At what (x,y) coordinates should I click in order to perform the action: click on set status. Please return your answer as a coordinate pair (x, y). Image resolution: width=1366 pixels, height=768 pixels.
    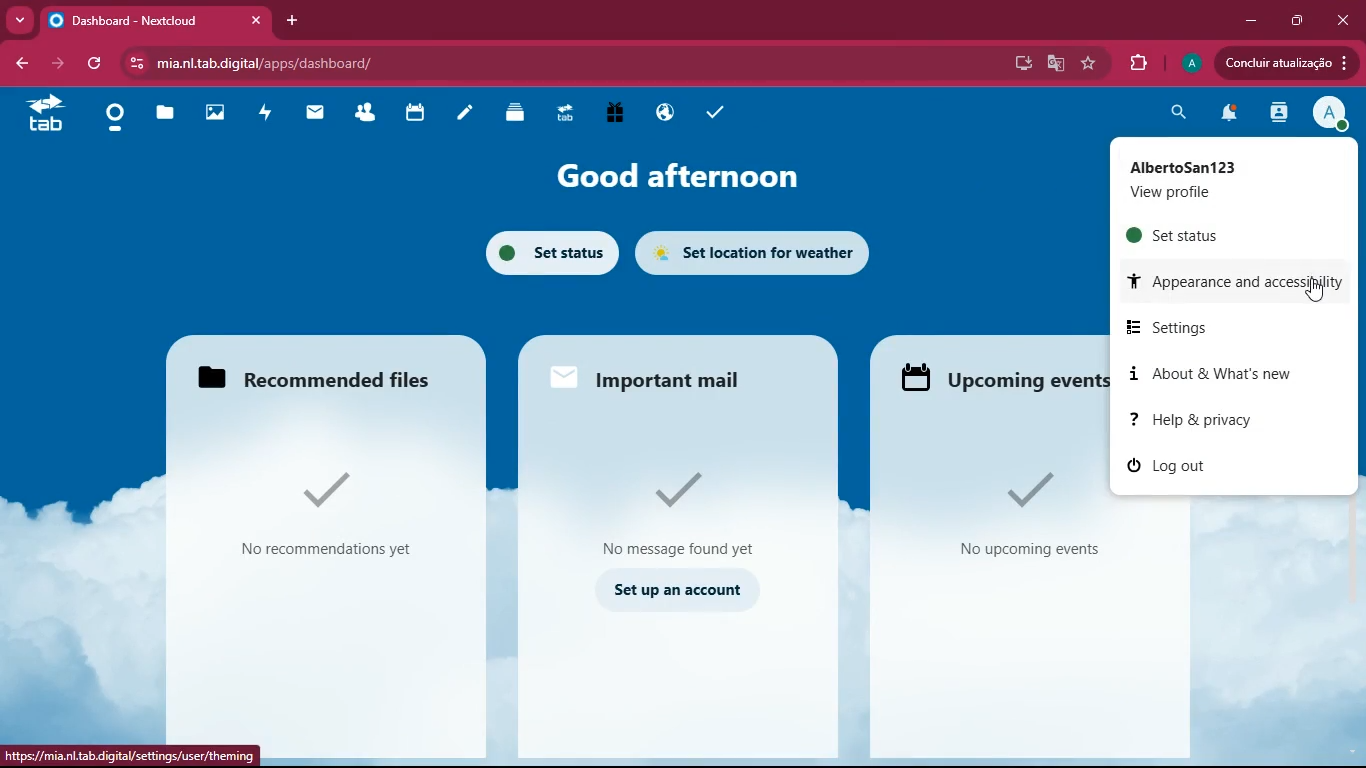
    Looking at the image, I should click on (542, 252).